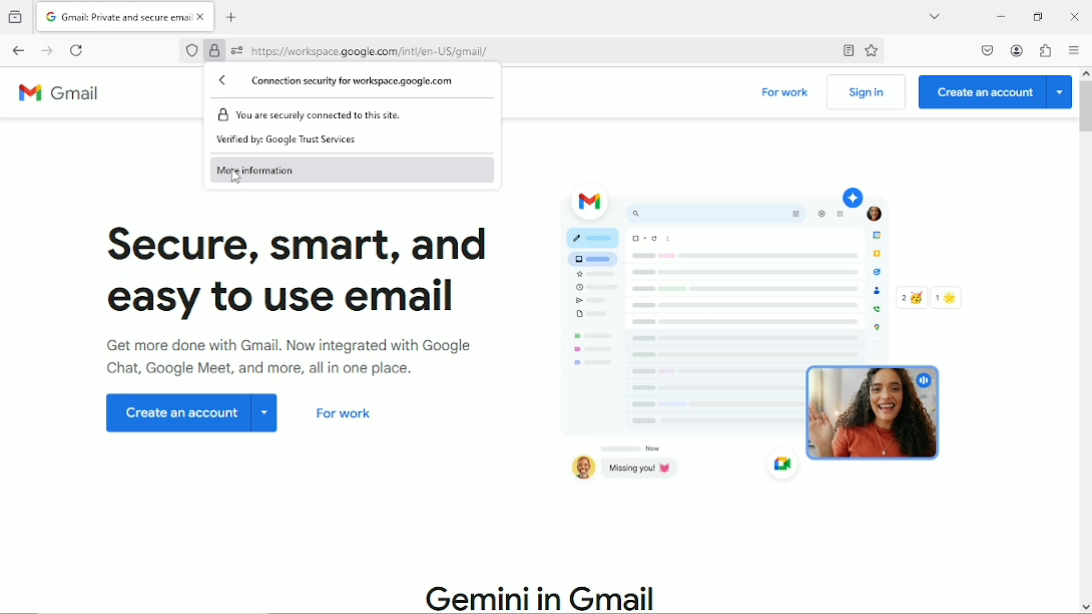  I want to click on Toggle reader view, so click(847, 49).